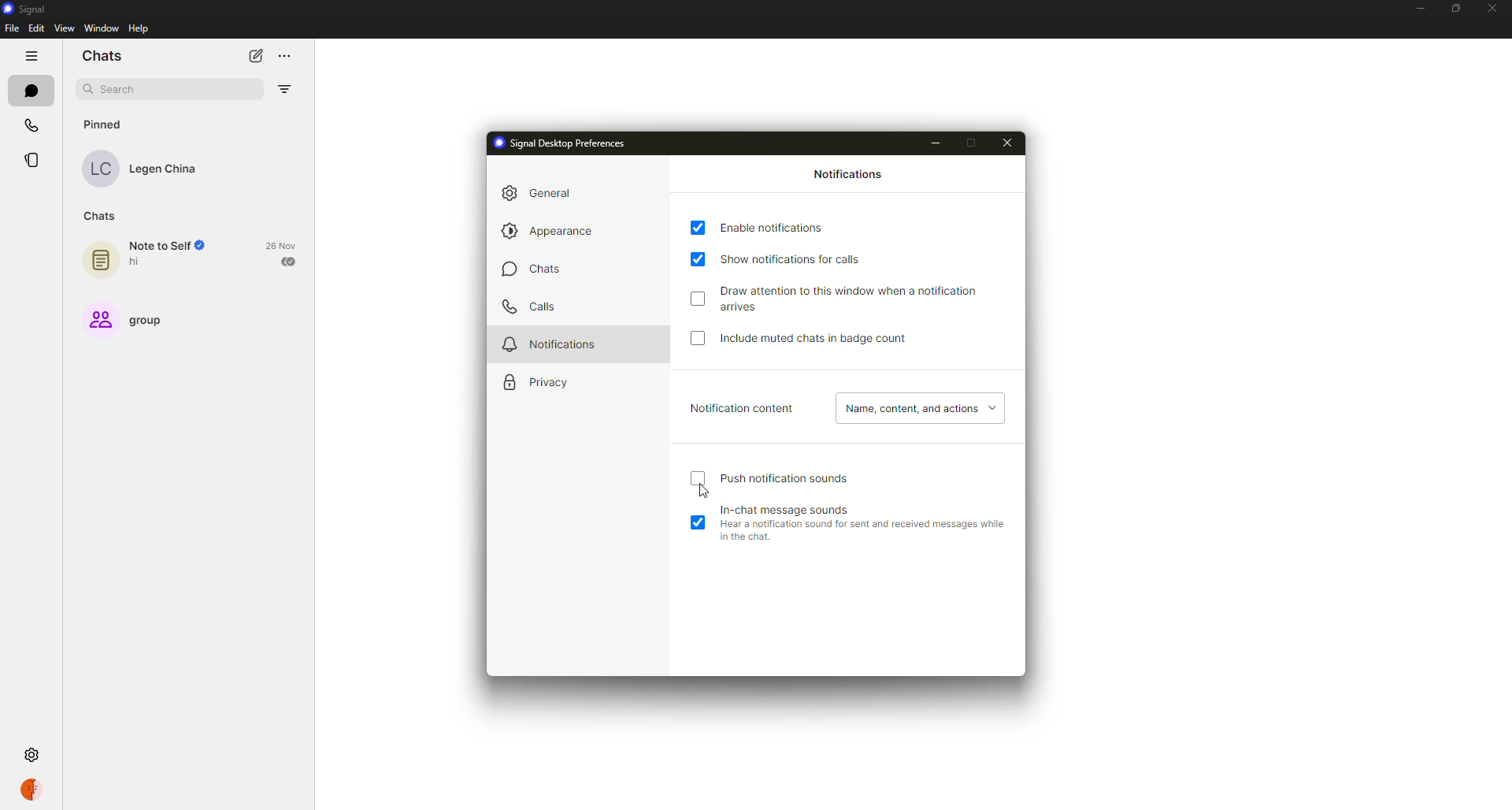 Image resolution: width=1512 pixels, height=810 pixels. Describe the element at coordinates (846, 174) in the screenshot. I see `notifications` at that location.